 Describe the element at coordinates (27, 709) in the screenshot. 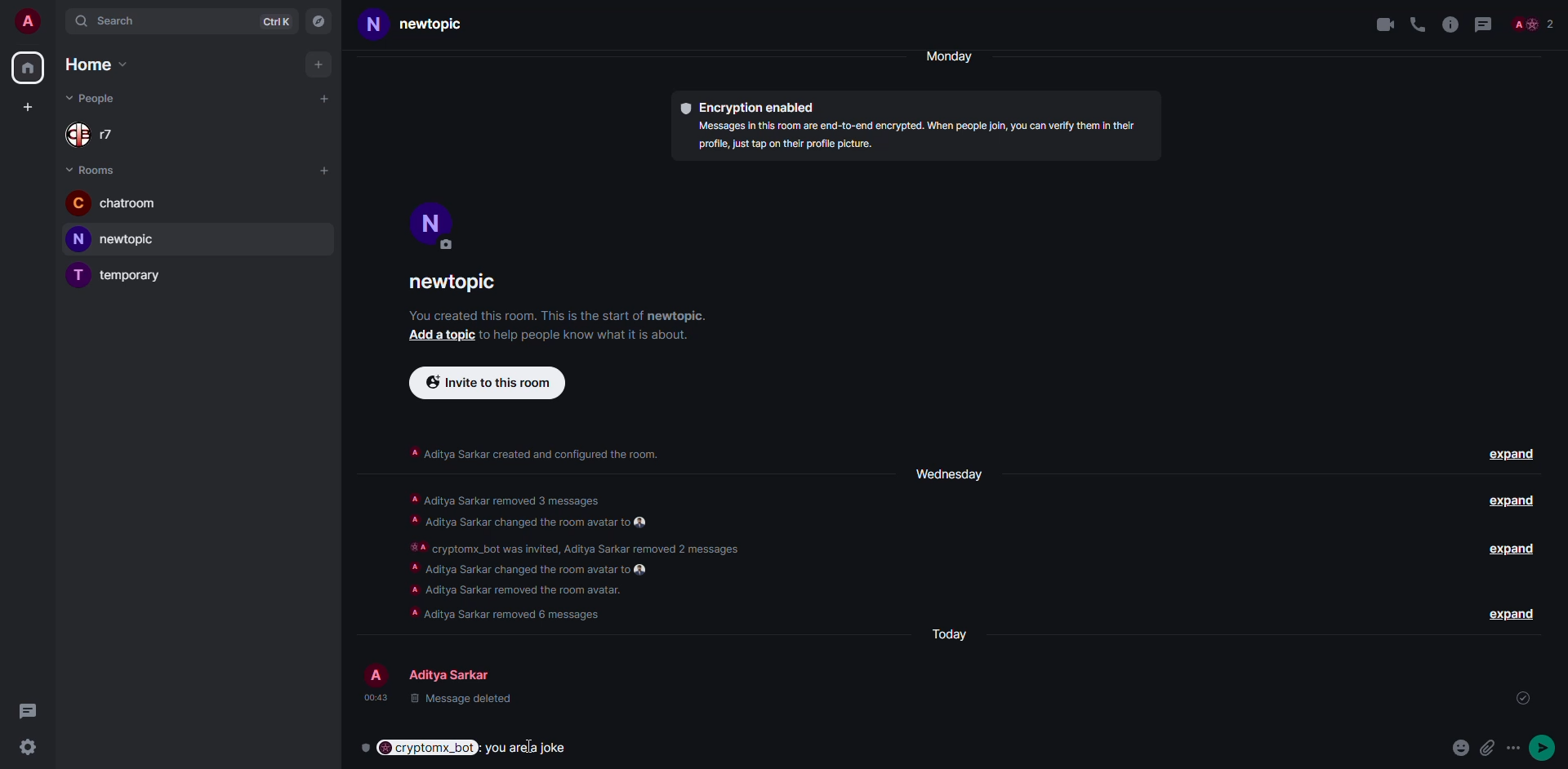

I see `threads` at that location.